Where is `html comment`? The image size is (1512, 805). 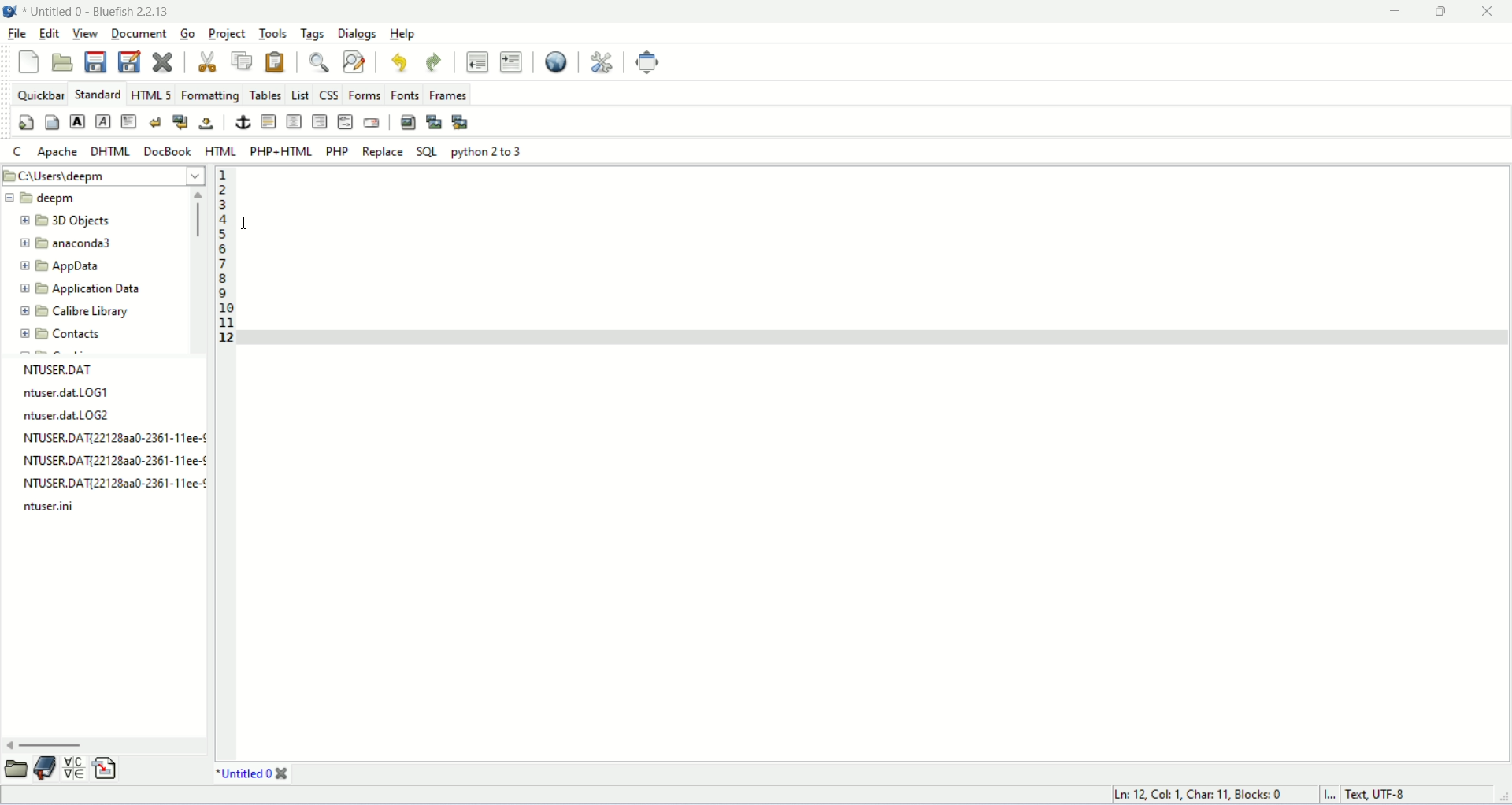
html comment is located at coordinates (346, 120).